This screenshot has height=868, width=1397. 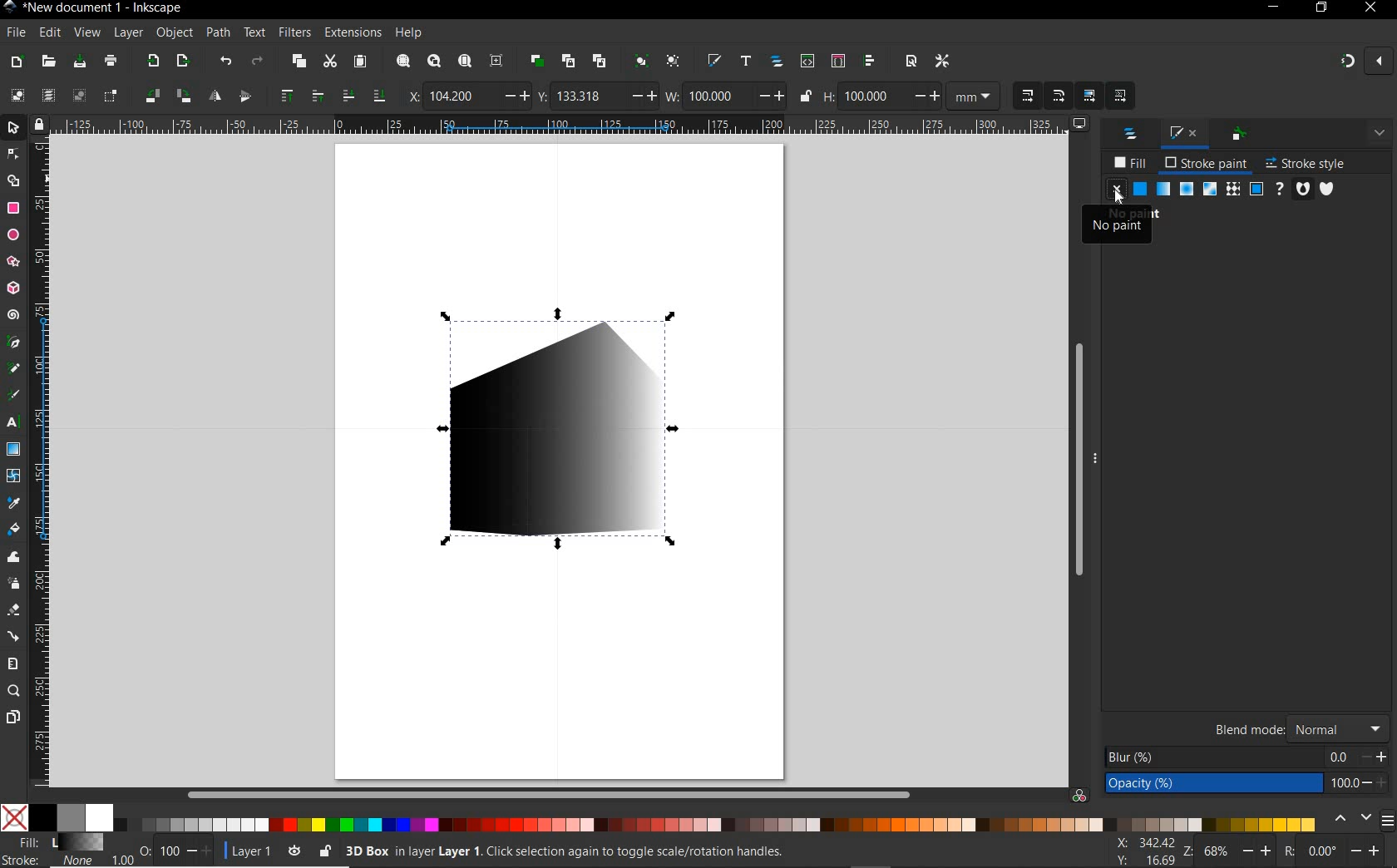 I want to click on UNLINK CLONE, so click(x=601, y=60).